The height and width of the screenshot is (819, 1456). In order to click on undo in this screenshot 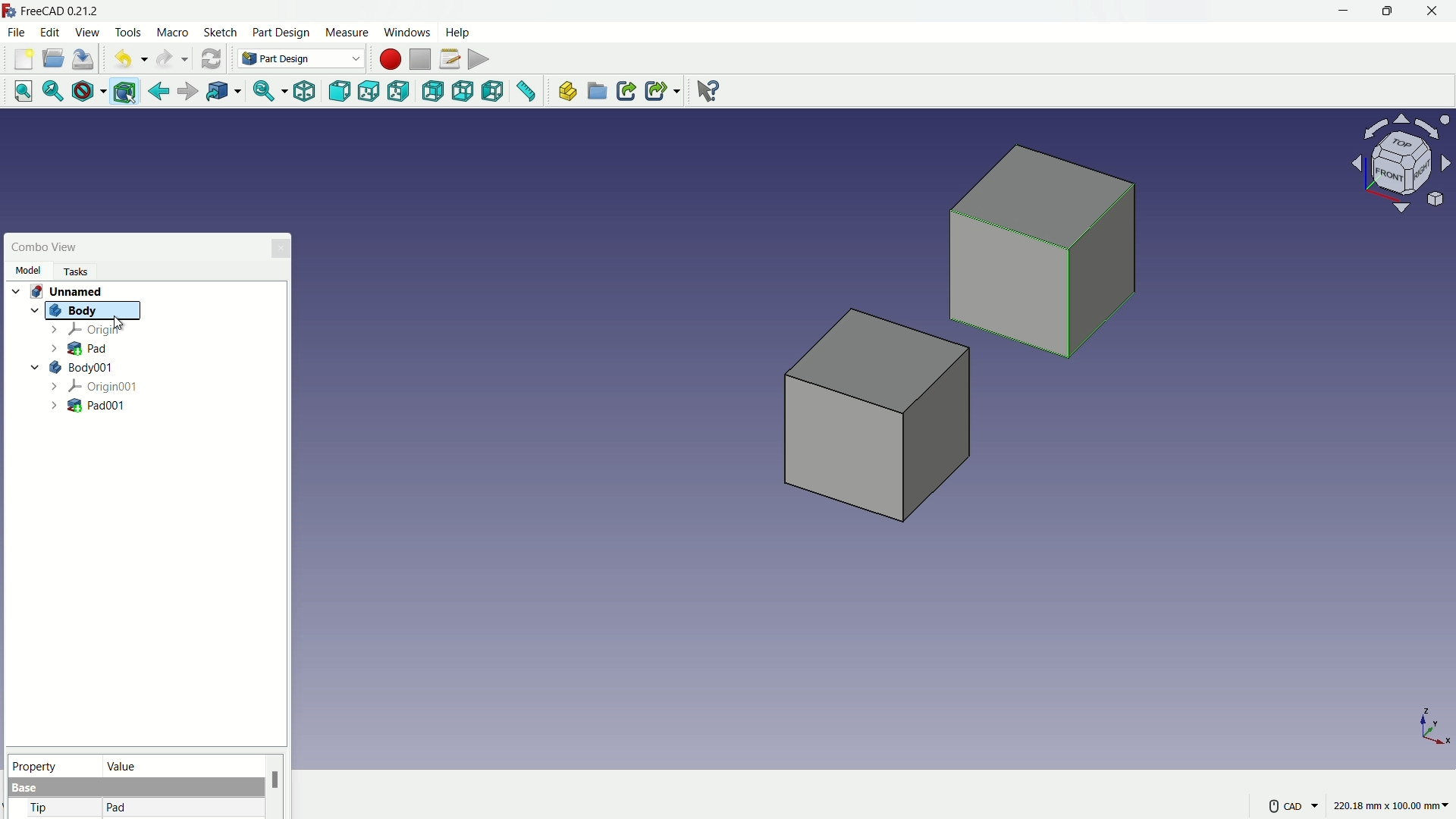, I will do `click(127, 60)`.